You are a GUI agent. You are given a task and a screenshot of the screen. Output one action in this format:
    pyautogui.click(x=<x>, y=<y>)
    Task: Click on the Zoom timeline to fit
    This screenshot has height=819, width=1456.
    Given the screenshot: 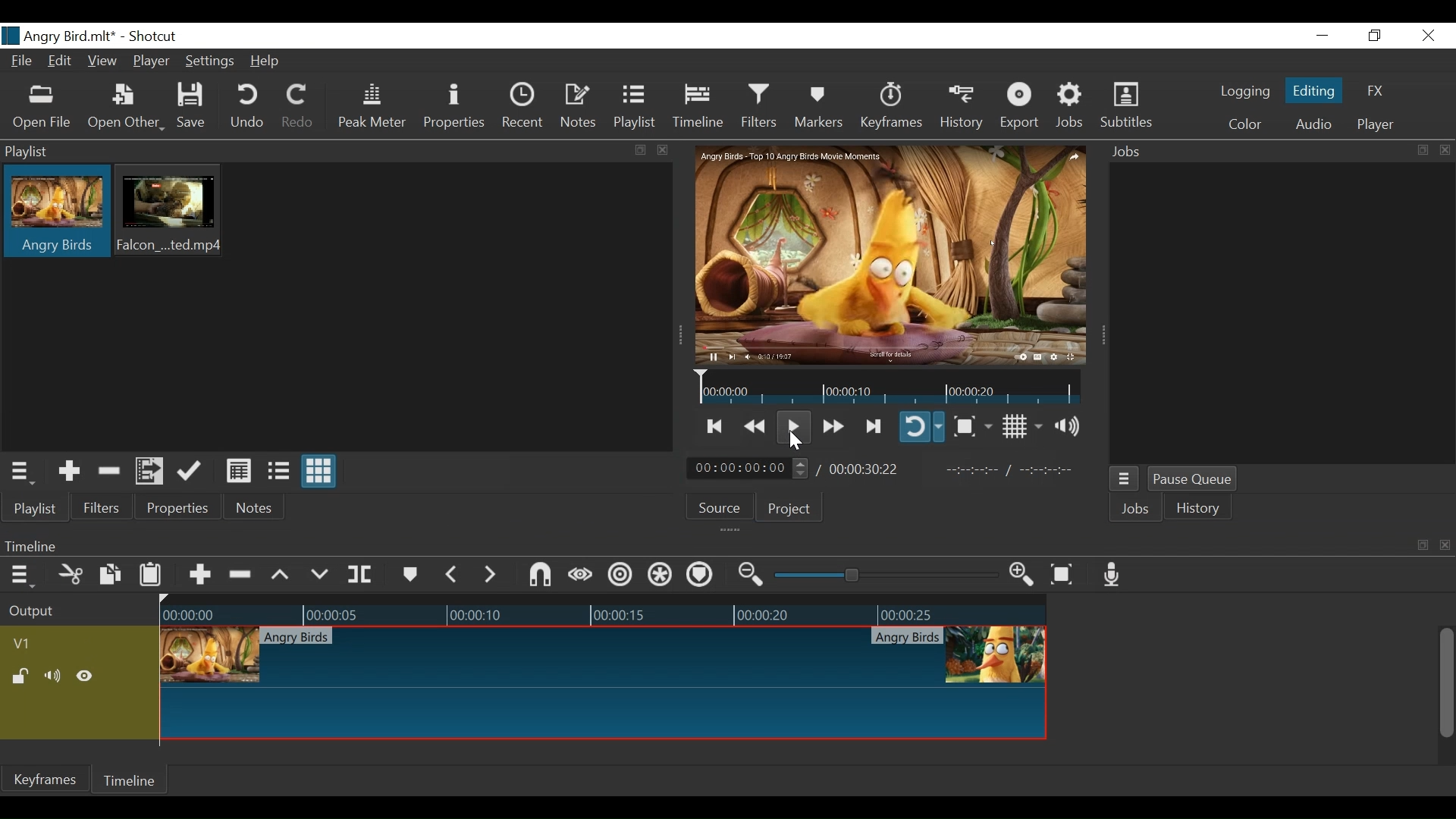 What is the action you would take?
    pyautogui.click(x=1062, y=576)
    